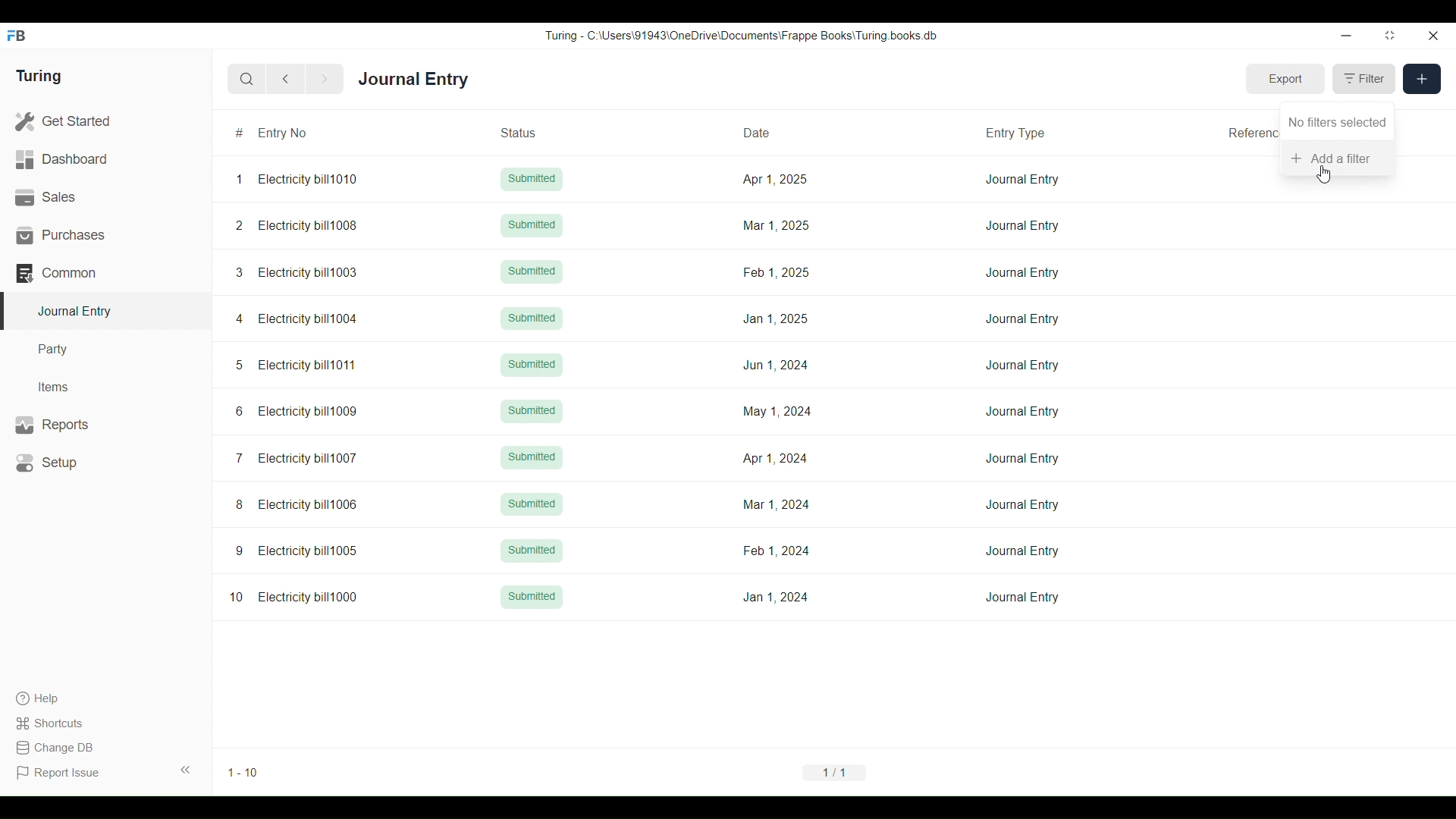 The height and width of the screenshot is (819, 1456). I want to click on Submitted, so click(531, 318).